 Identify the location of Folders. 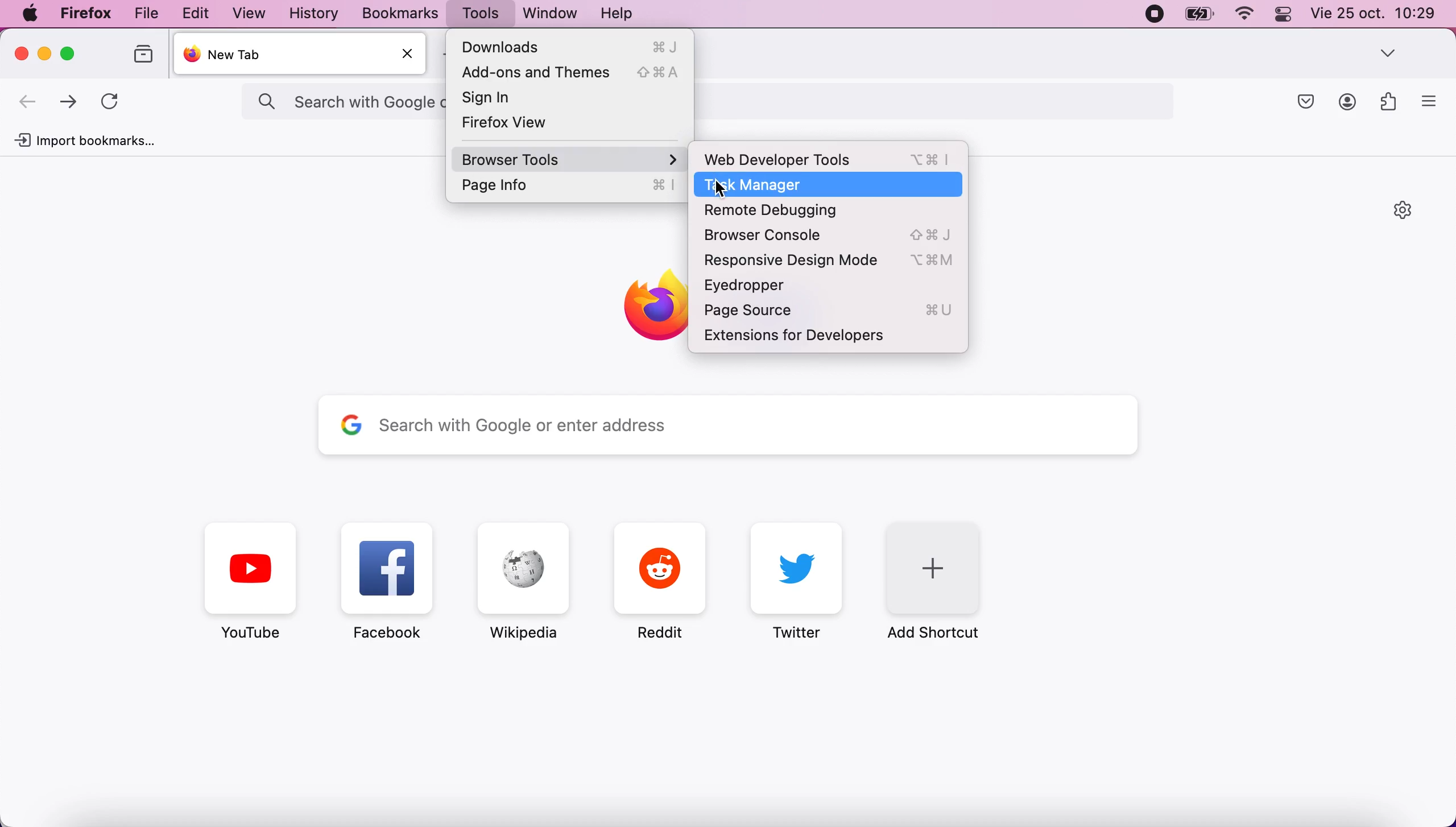
(146, 54).